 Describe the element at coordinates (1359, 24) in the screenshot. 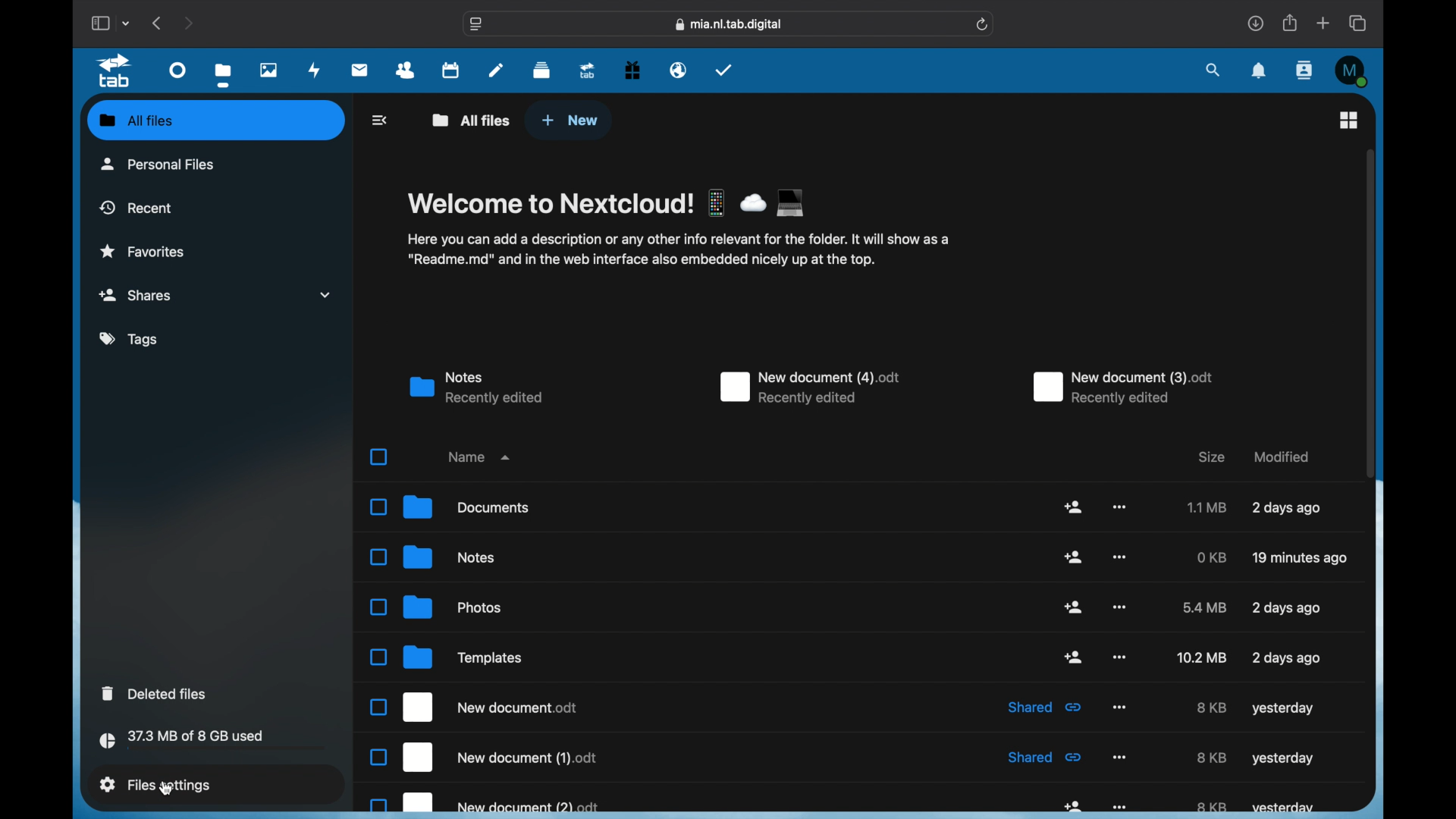

I see `show tab overview` at that location.